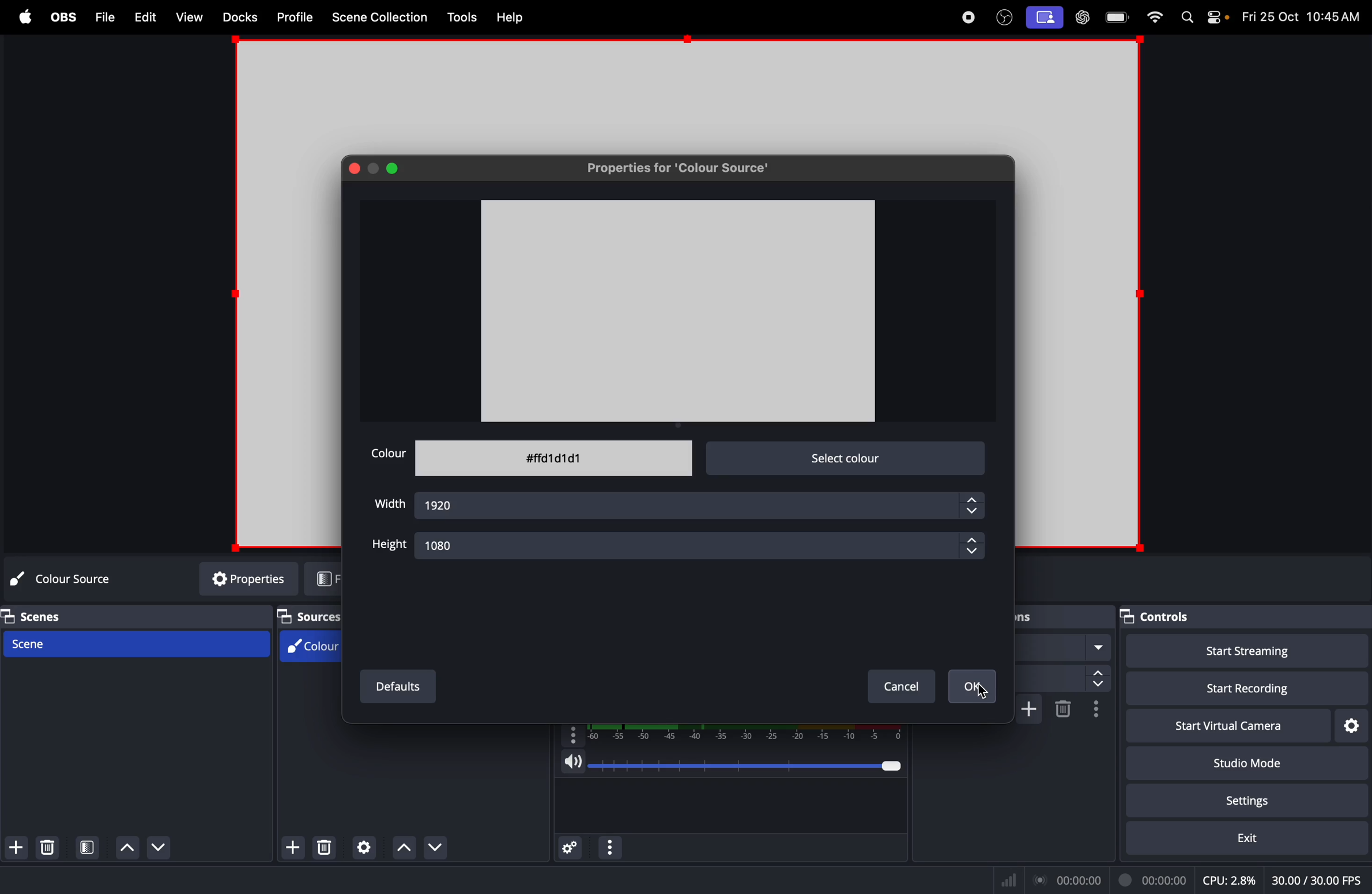 The width and height of the screenshot is (1372, 894). Describe the element at coordinates (307, 647) in the screenshot. I see `colour` at that location.